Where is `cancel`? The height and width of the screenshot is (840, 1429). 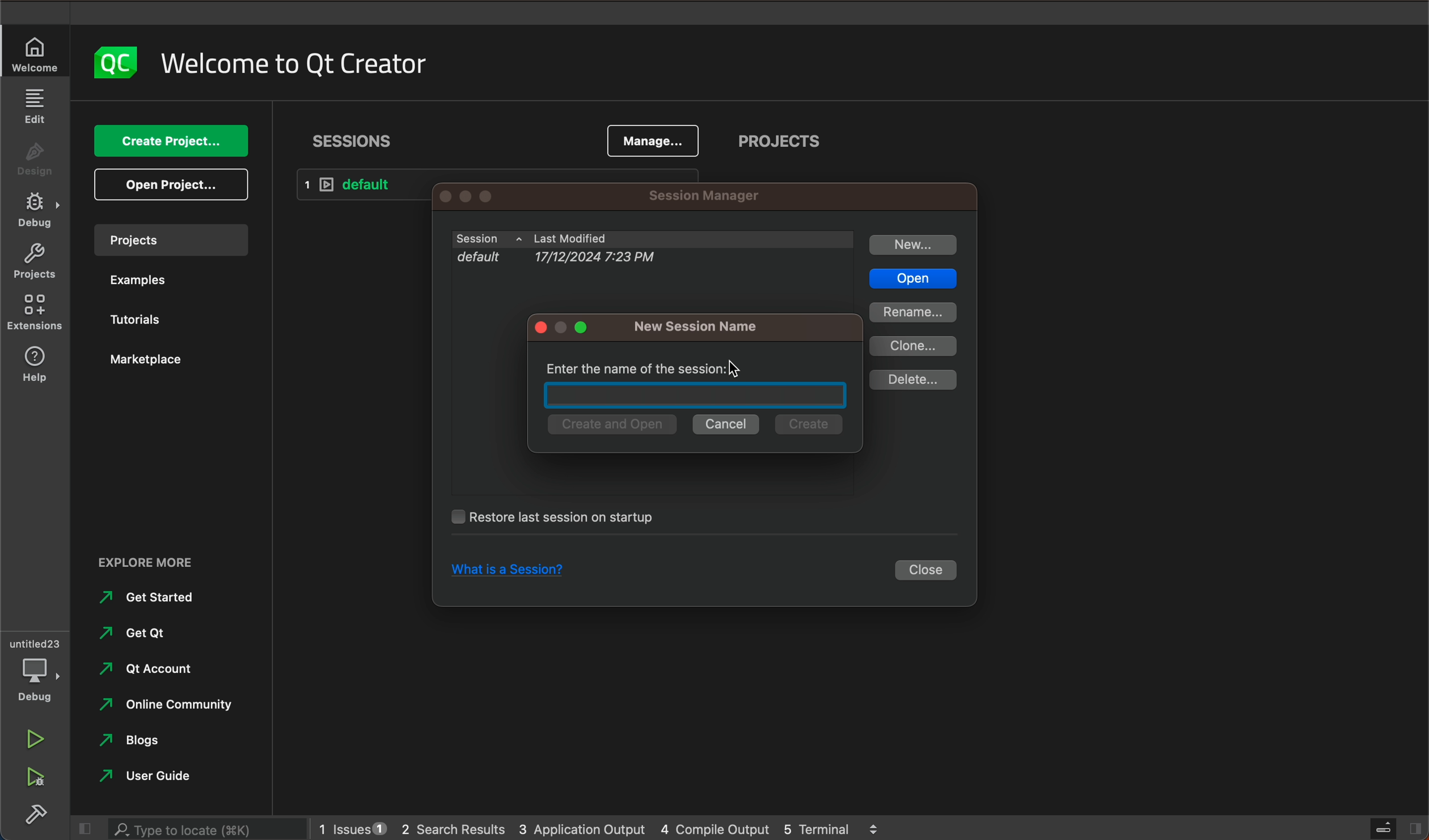
cancel is located at coordinates (726, 425).